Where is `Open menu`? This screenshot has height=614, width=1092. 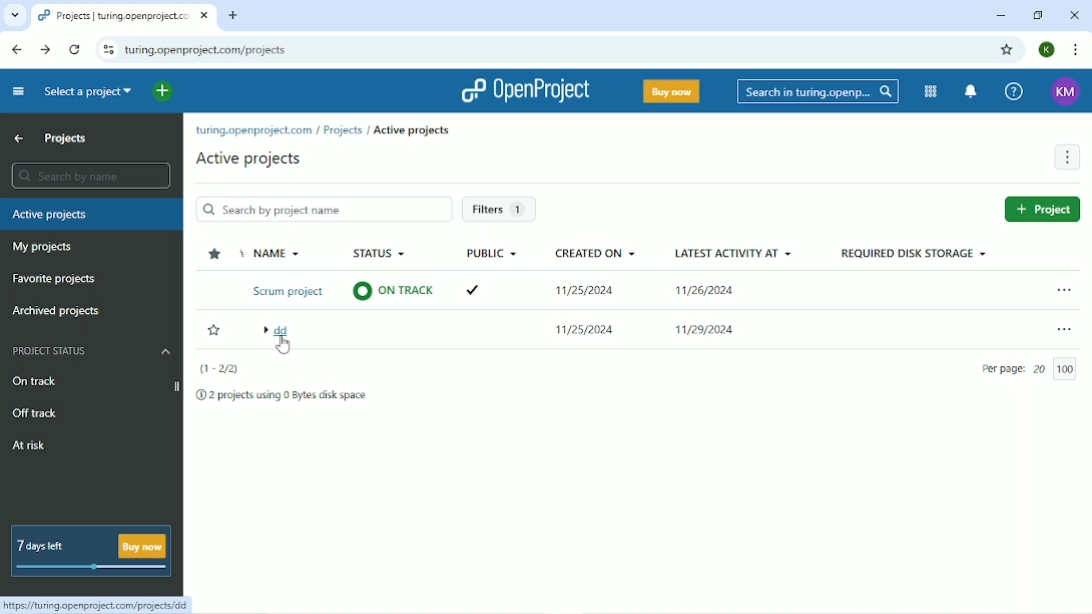
Open menu is located at coordinates (1065, 329).